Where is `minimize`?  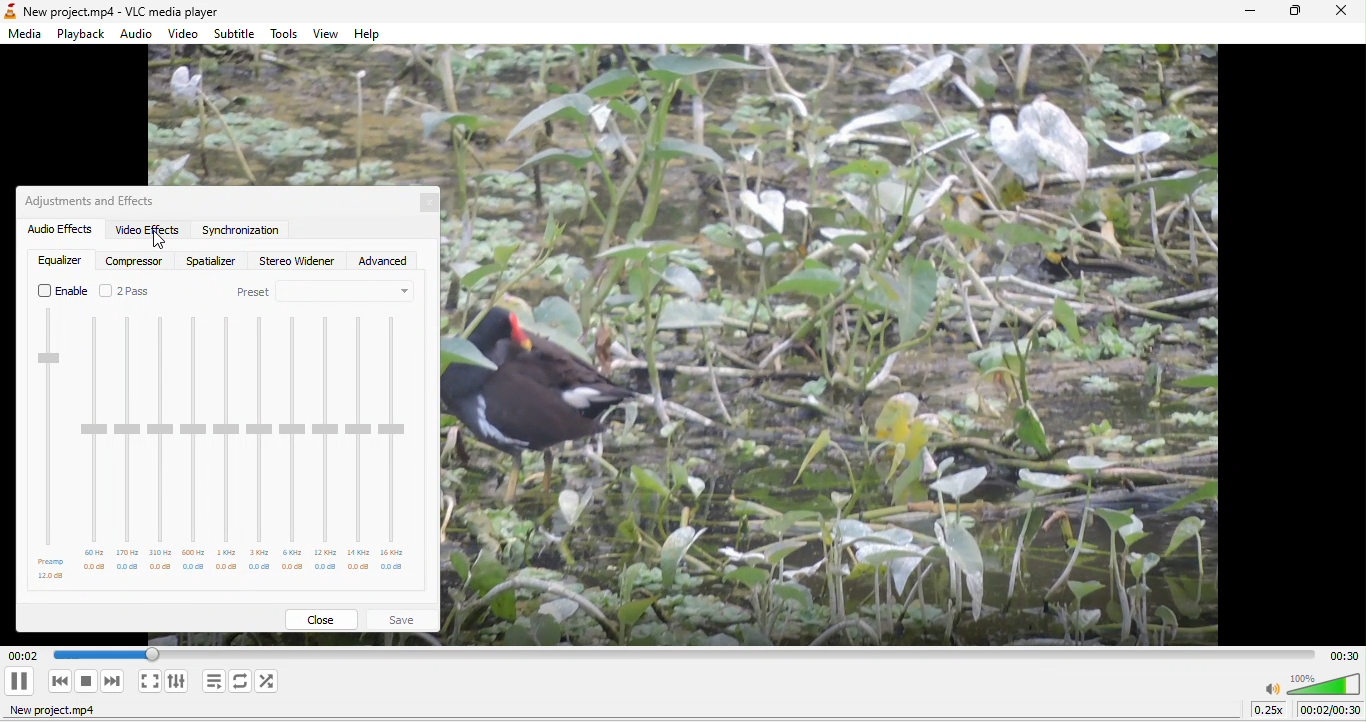 minimize is located at coordinates (1250, 12).